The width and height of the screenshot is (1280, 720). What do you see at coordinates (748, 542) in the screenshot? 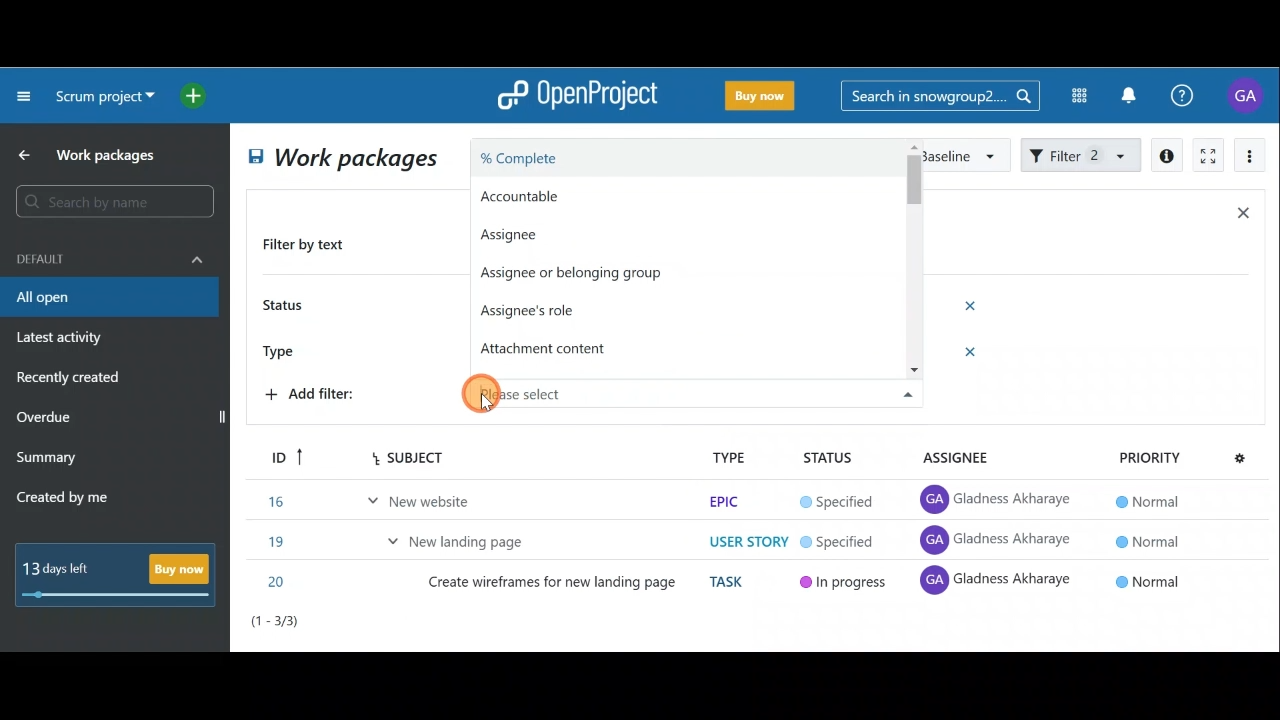
I see `user story` at bounding box center [748, 542].